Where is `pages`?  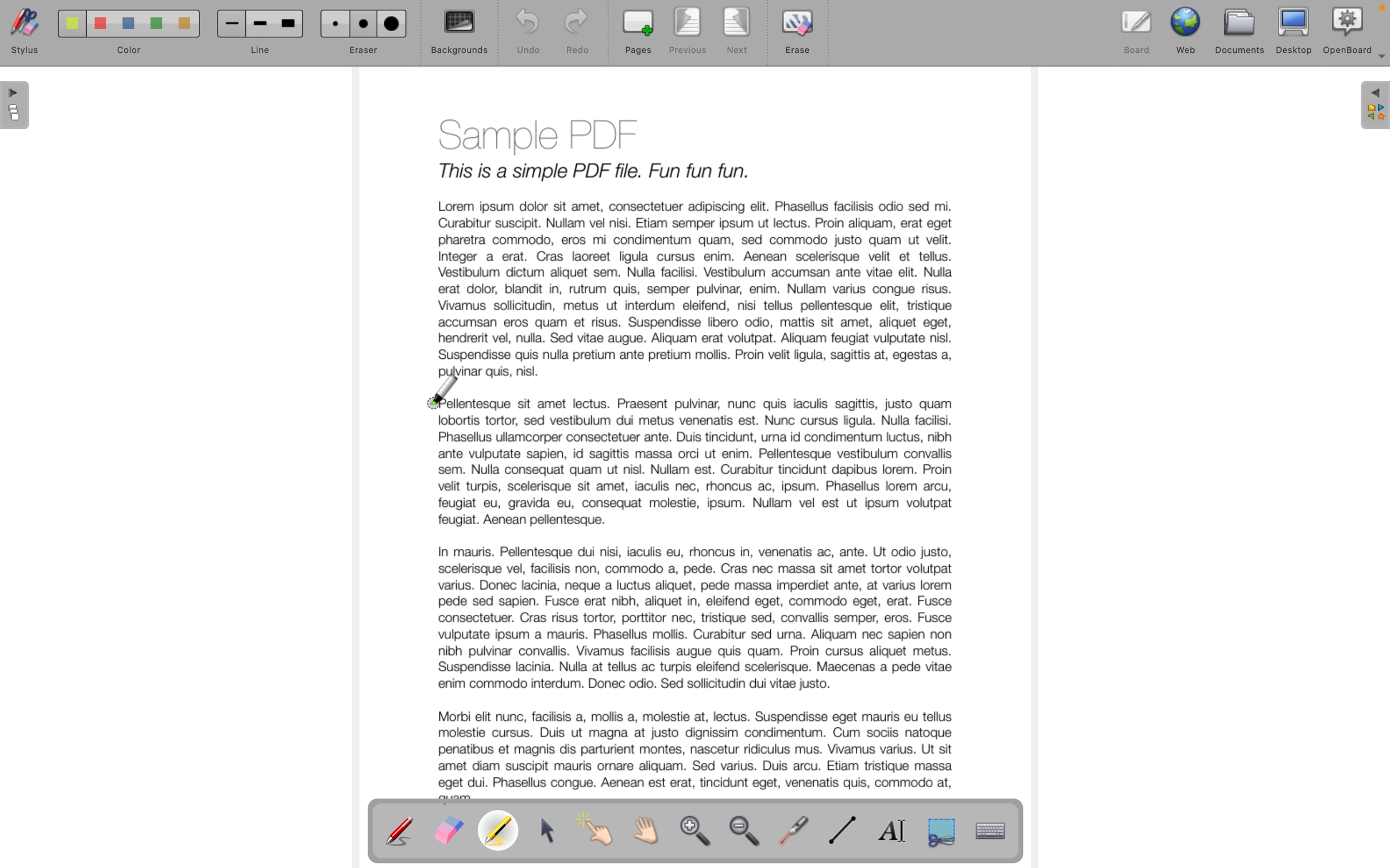
pages is located at coordinates (638, 33).